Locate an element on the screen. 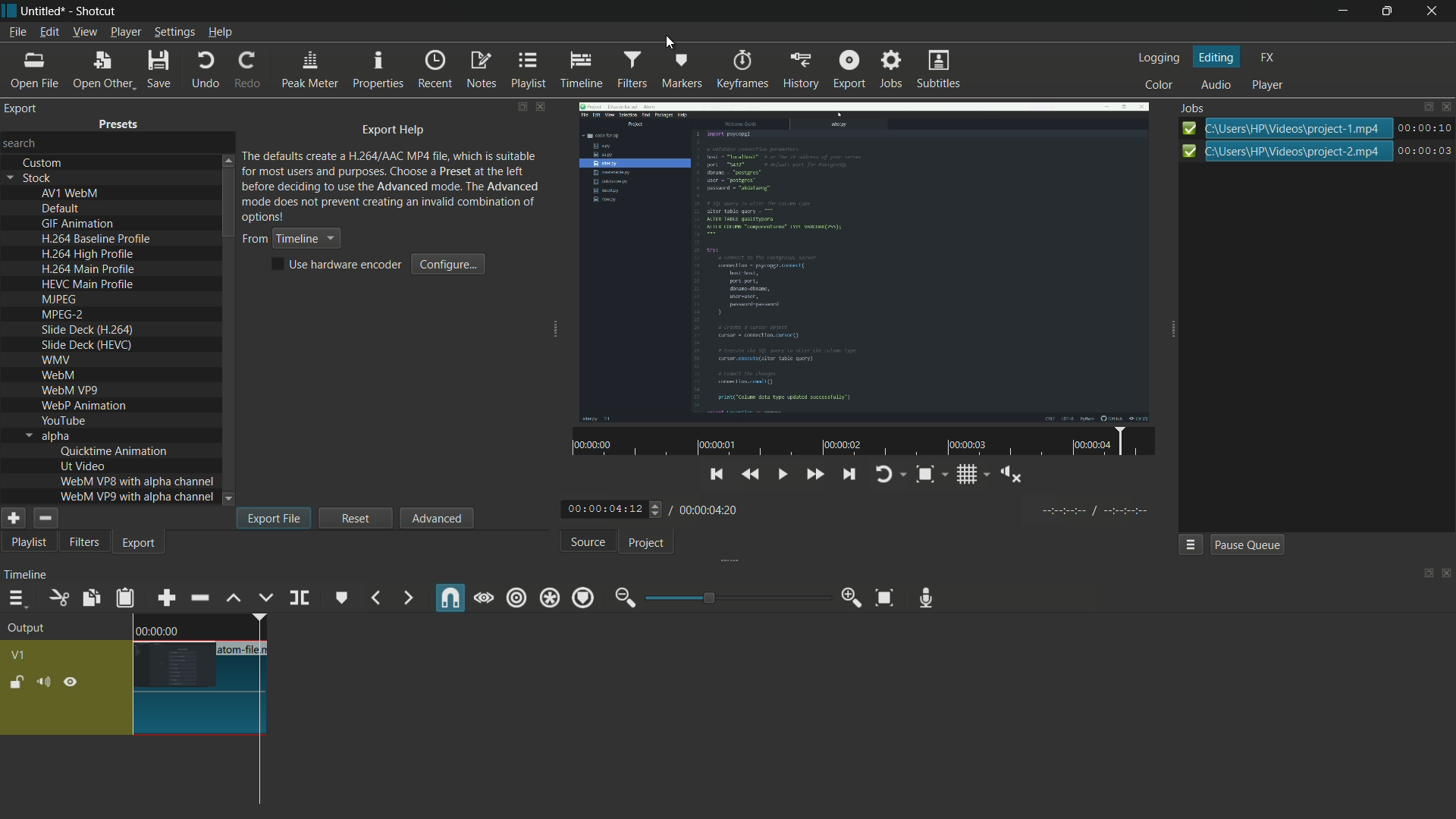 The image size is (1456, 819). toggle player looping is located at coordinates (1049, 511).